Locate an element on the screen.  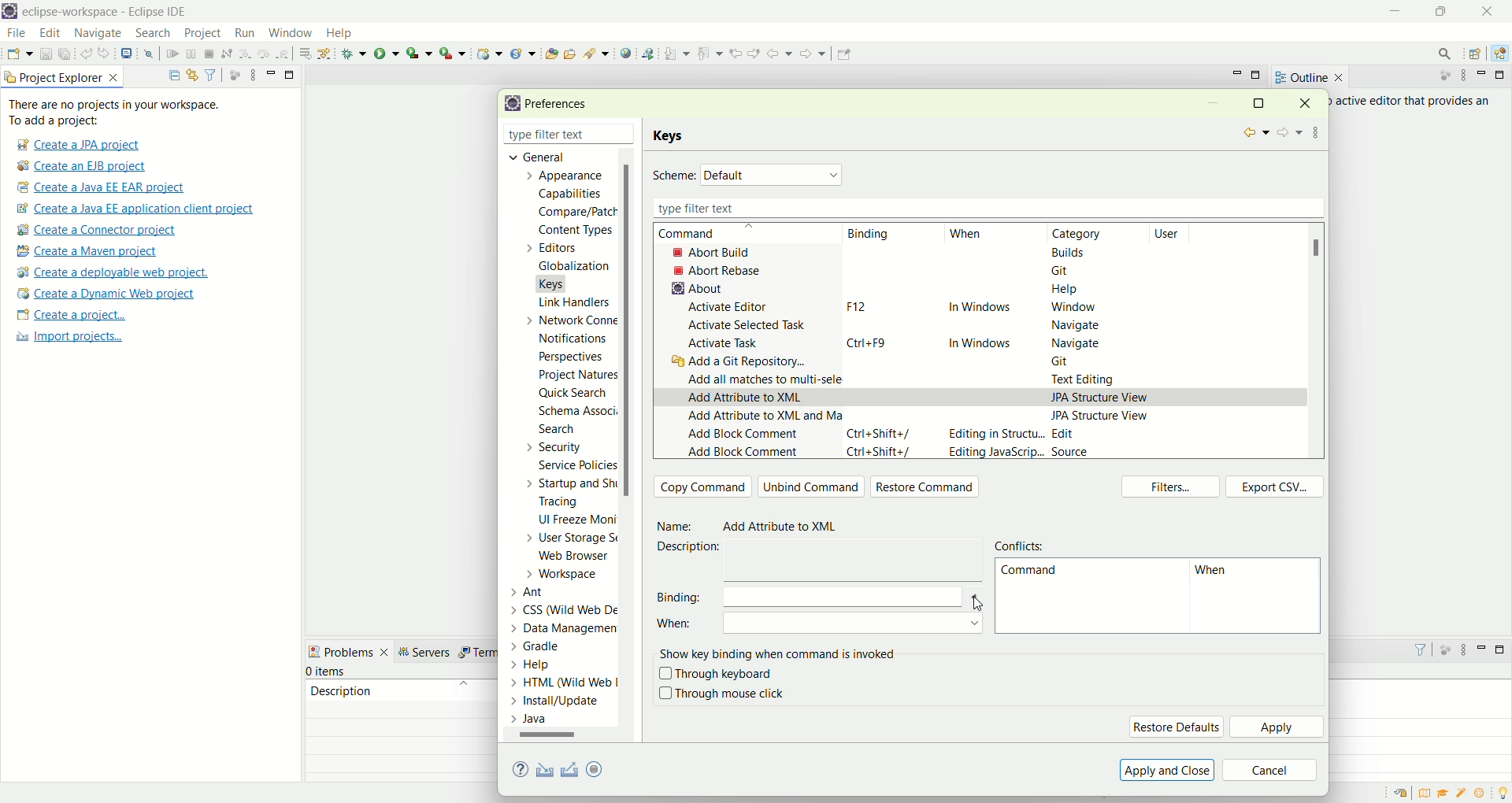
navigate is located at coordinates (1077, 342).